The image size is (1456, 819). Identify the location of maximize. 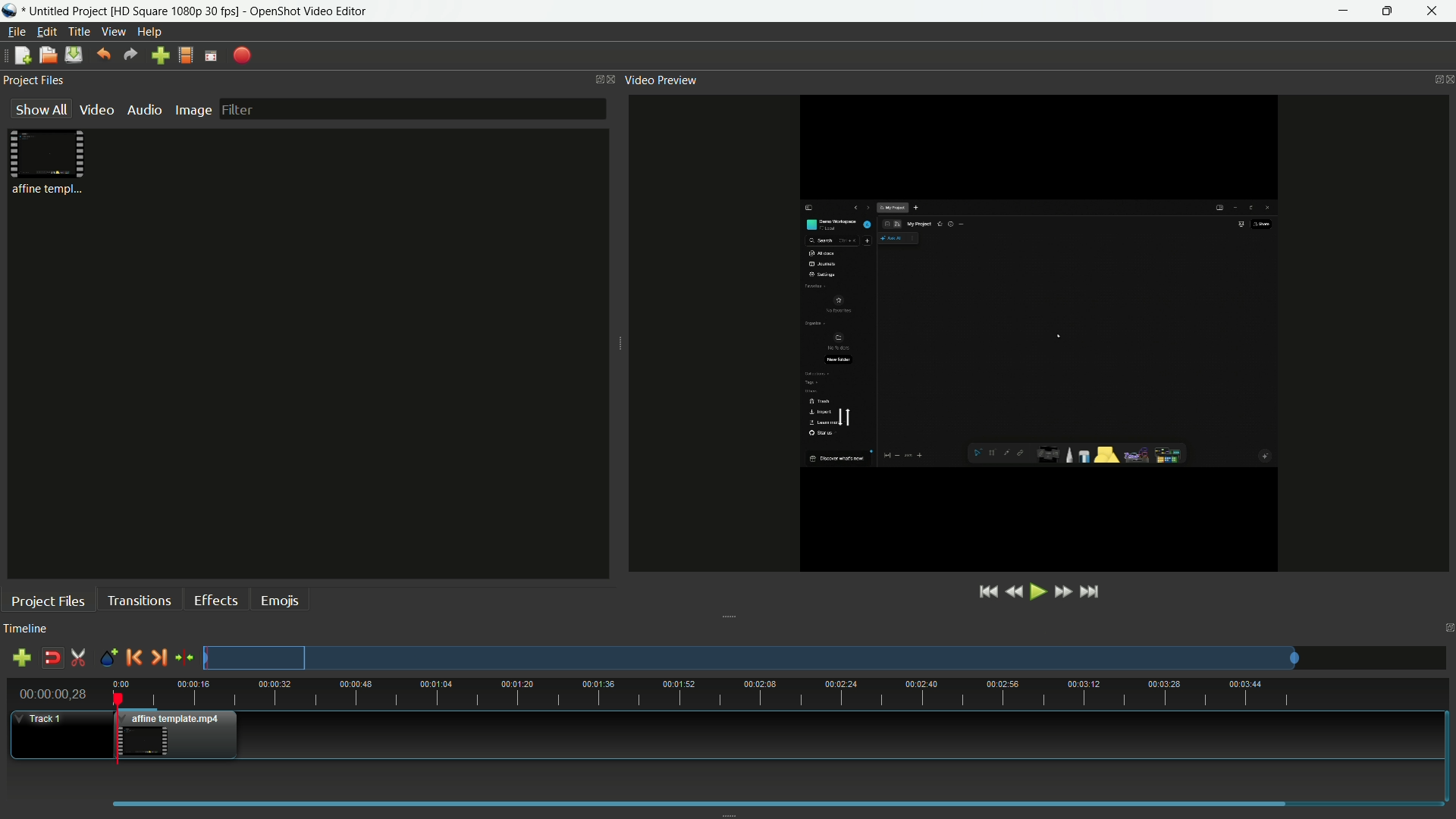
(1387, 11).